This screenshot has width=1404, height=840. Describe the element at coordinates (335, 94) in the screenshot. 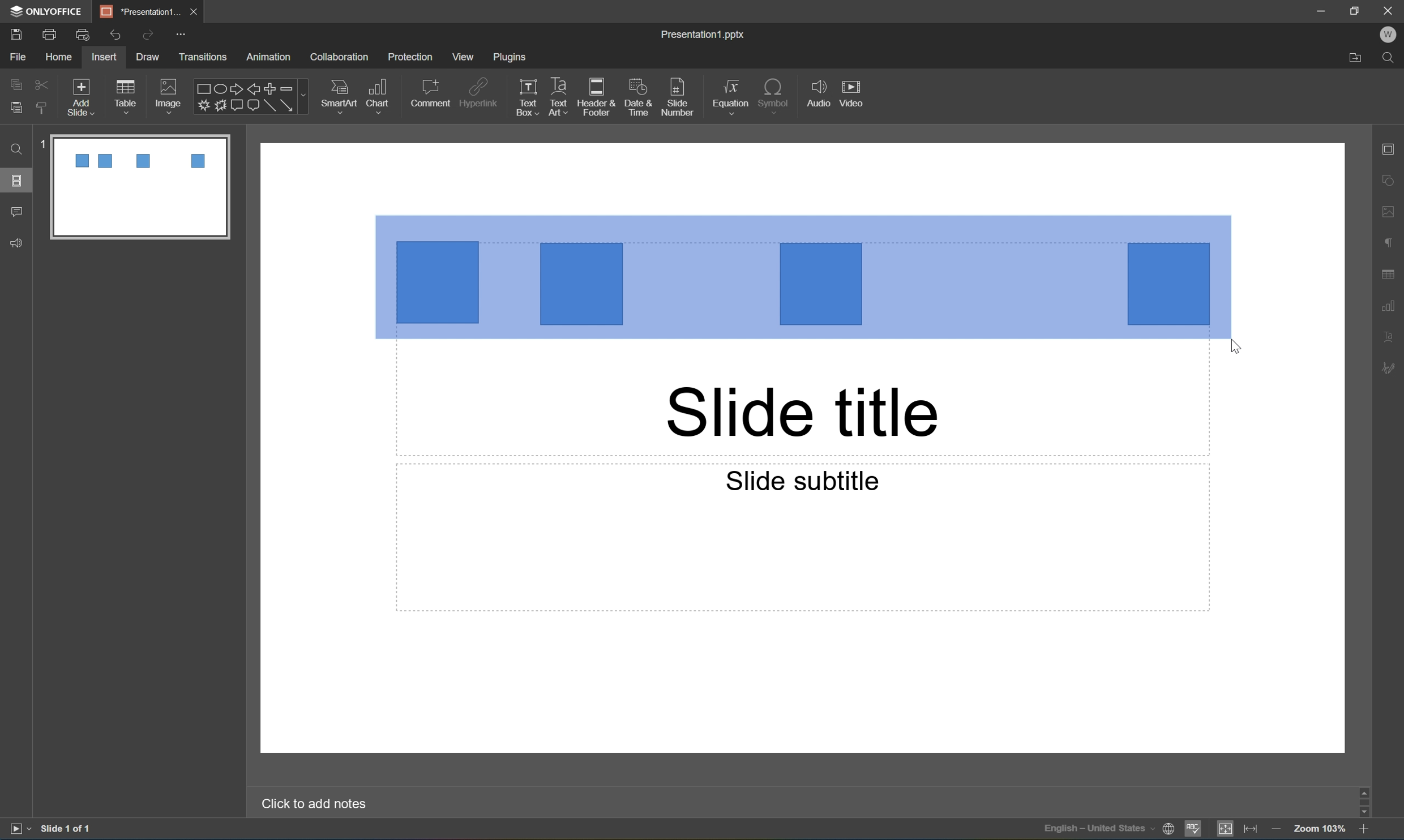

I see `smart art` at that location.